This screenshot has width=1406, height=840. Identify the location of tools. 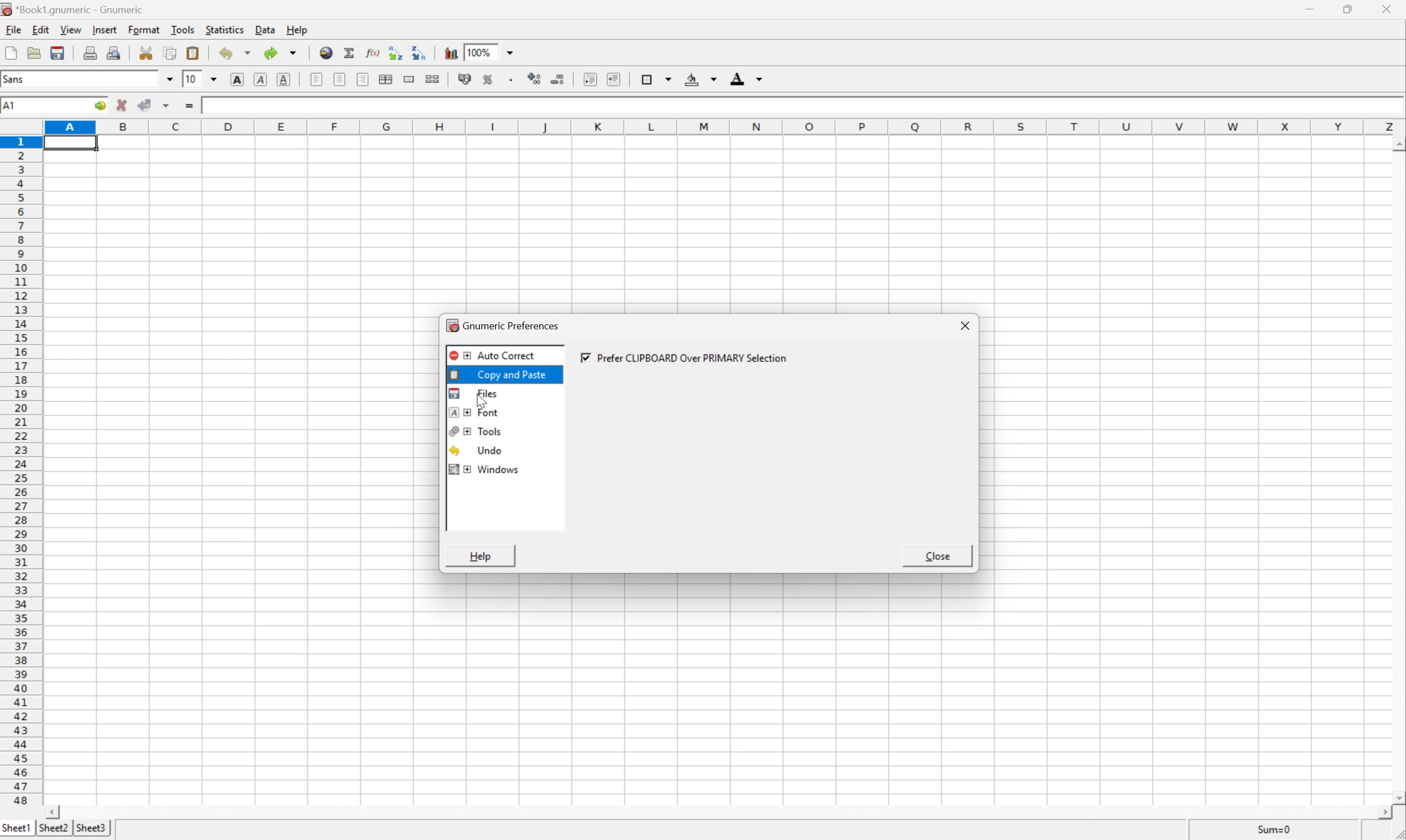
(476, 433).